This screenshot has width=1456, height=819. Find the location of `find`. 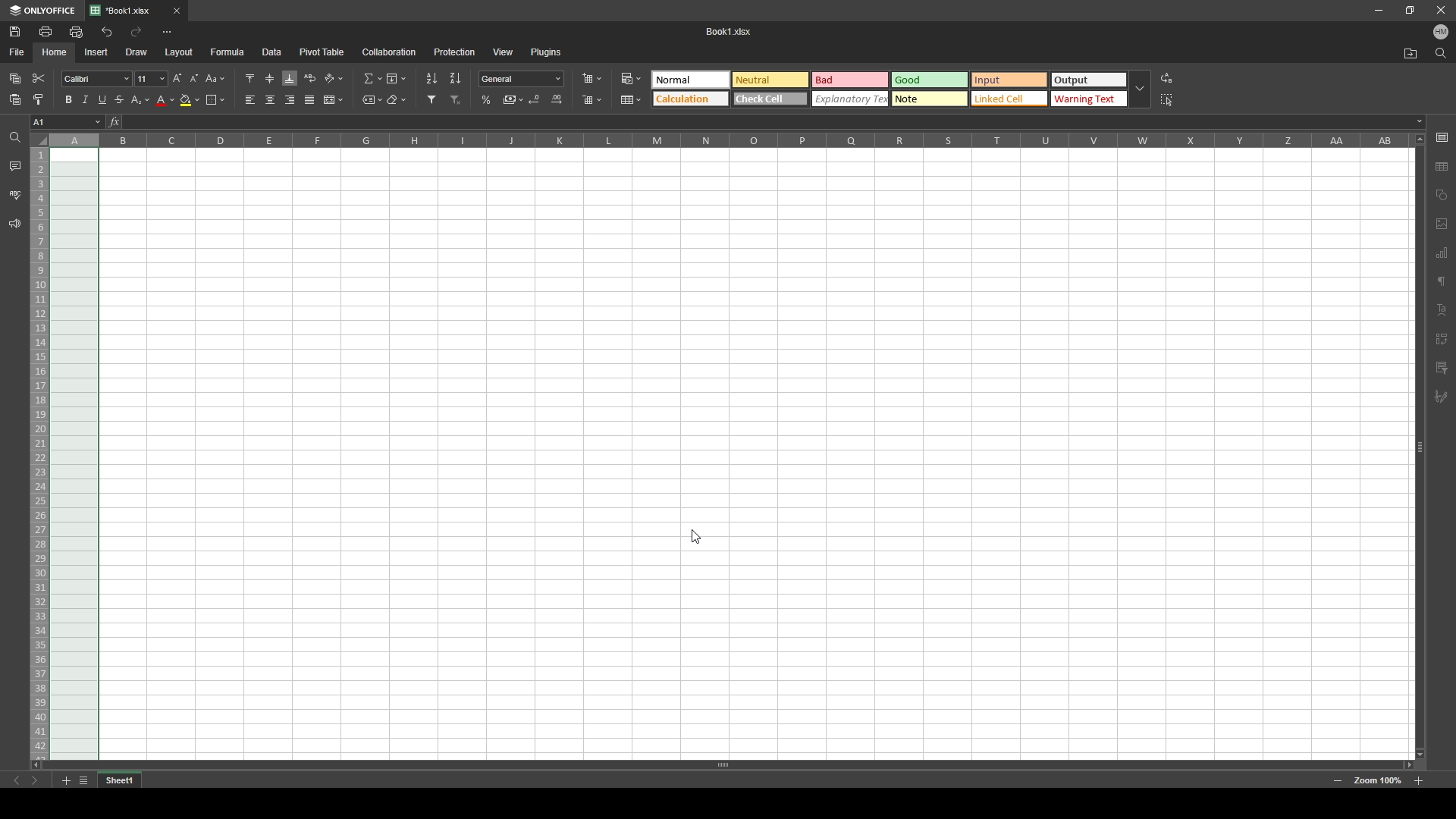

find is located at coordinates (1441, 54).